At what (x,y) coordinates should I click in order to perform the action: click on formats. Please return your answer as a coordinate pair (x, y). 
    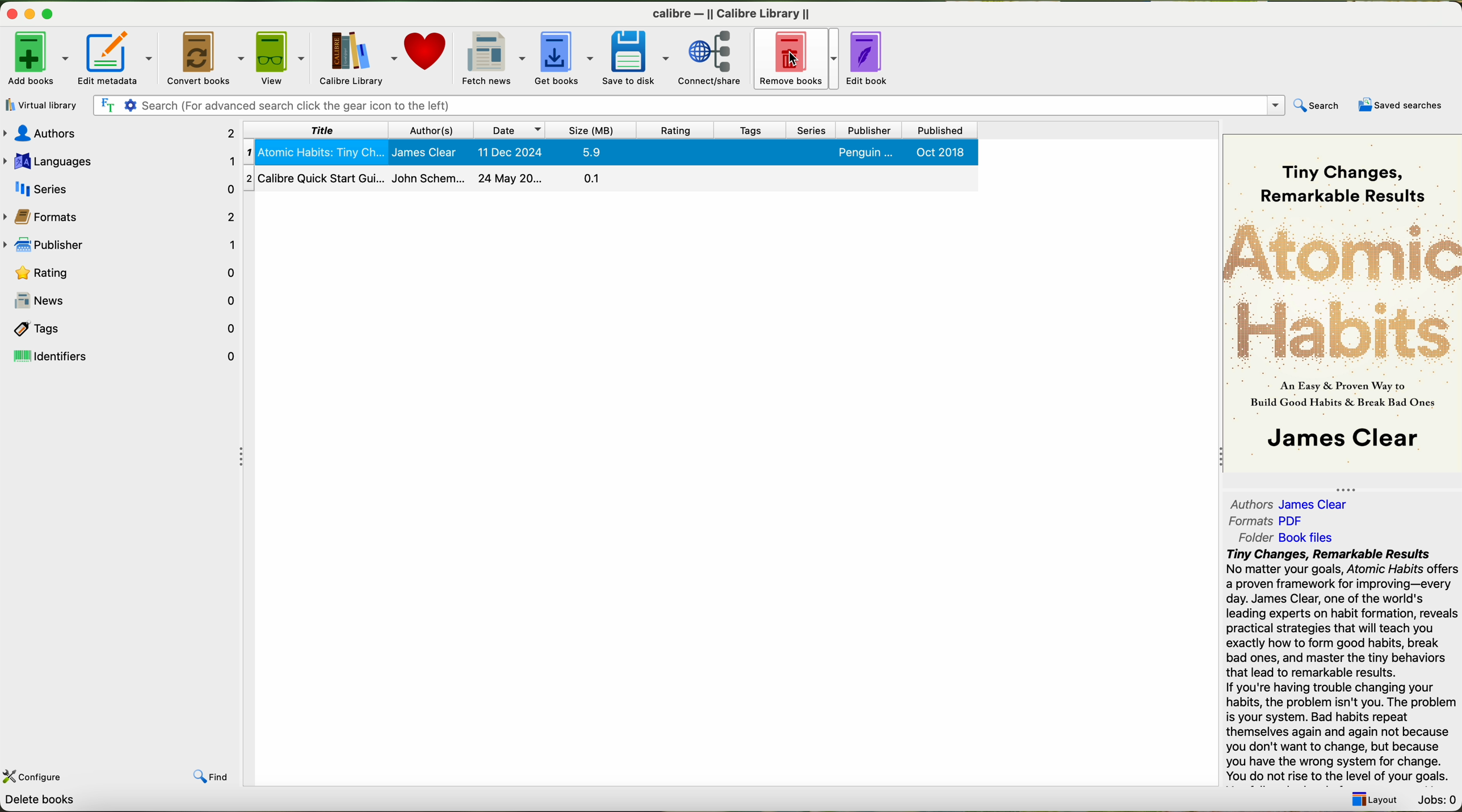
    Looking at the image, I should click on (1267, 520).